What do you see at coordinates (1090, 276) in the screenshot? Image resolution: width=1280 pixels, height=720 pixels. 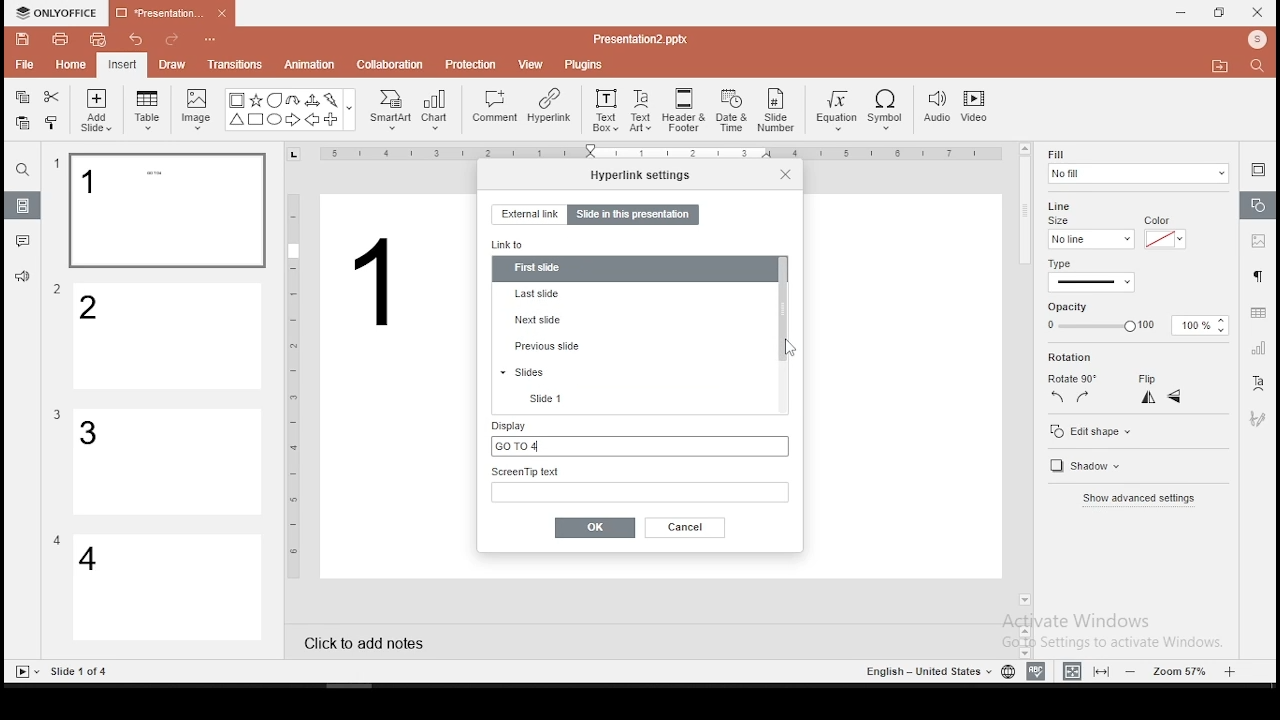 I see `line type` at bounding box center [1090, 276].